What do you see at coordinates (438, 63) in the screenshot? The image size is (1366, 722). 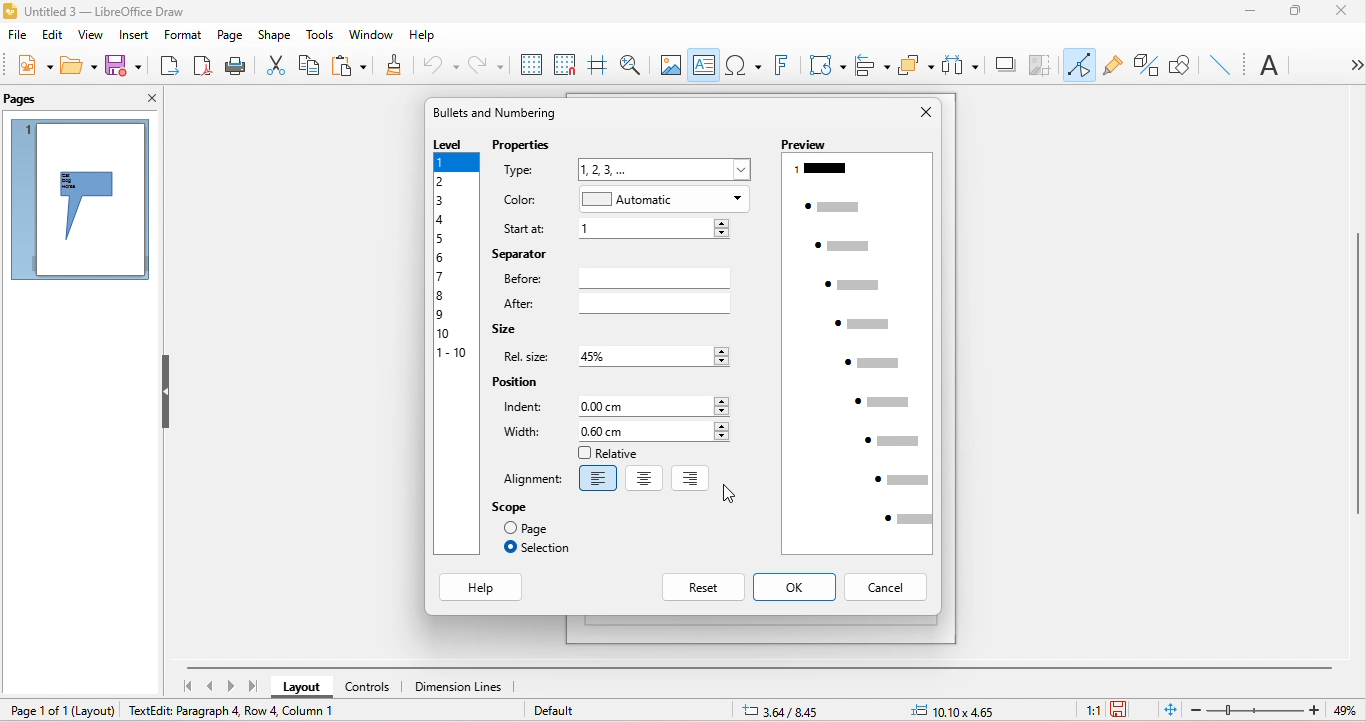 I see `undo` at bounding box center [438, 63].